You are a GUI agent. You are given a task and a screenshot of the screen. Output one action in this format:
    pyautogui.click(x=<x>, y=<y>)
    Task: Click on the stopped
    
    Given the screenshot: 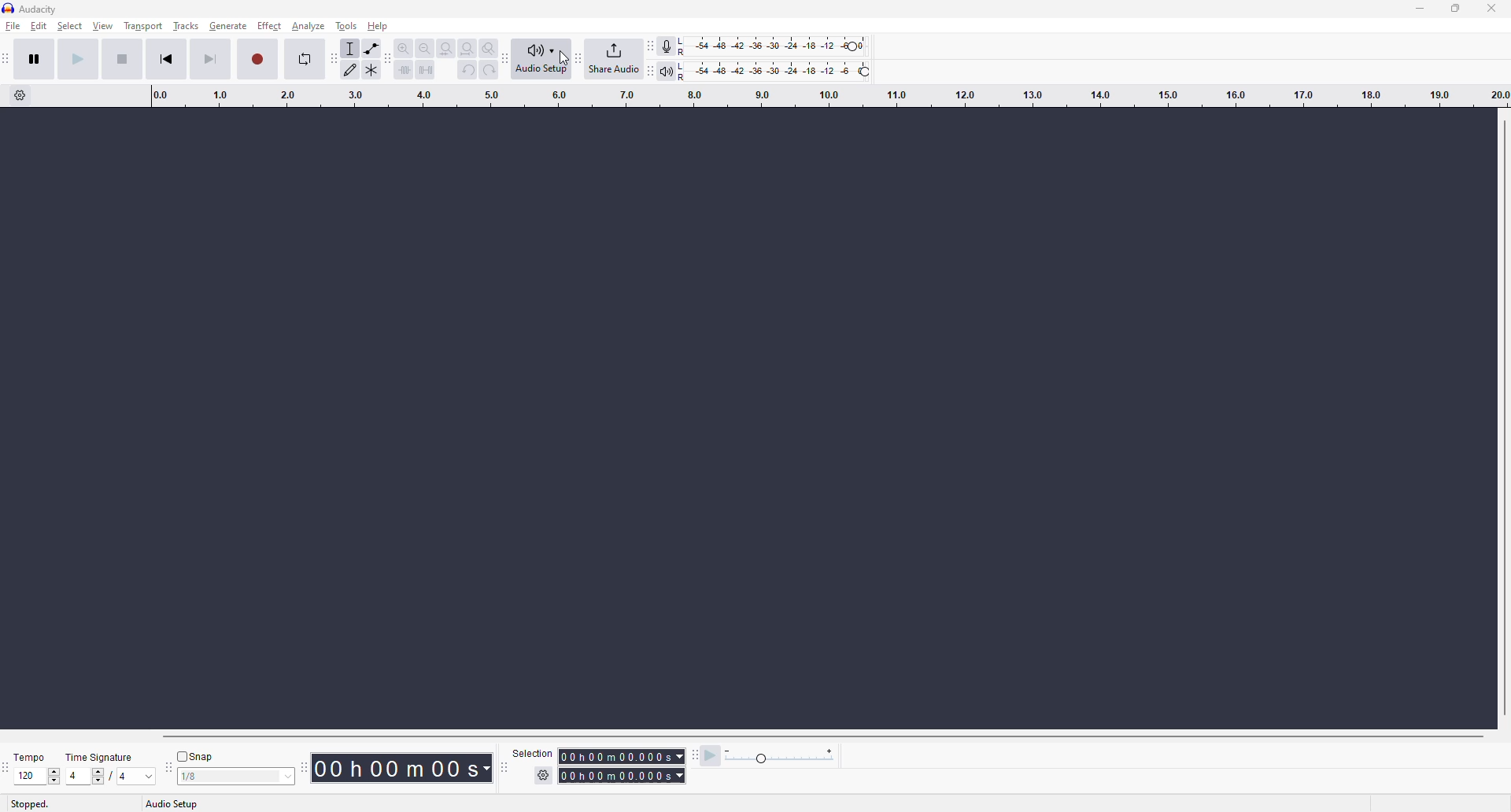 What is the action you would take?
    pyautogui.click(x=33, y=802)
    